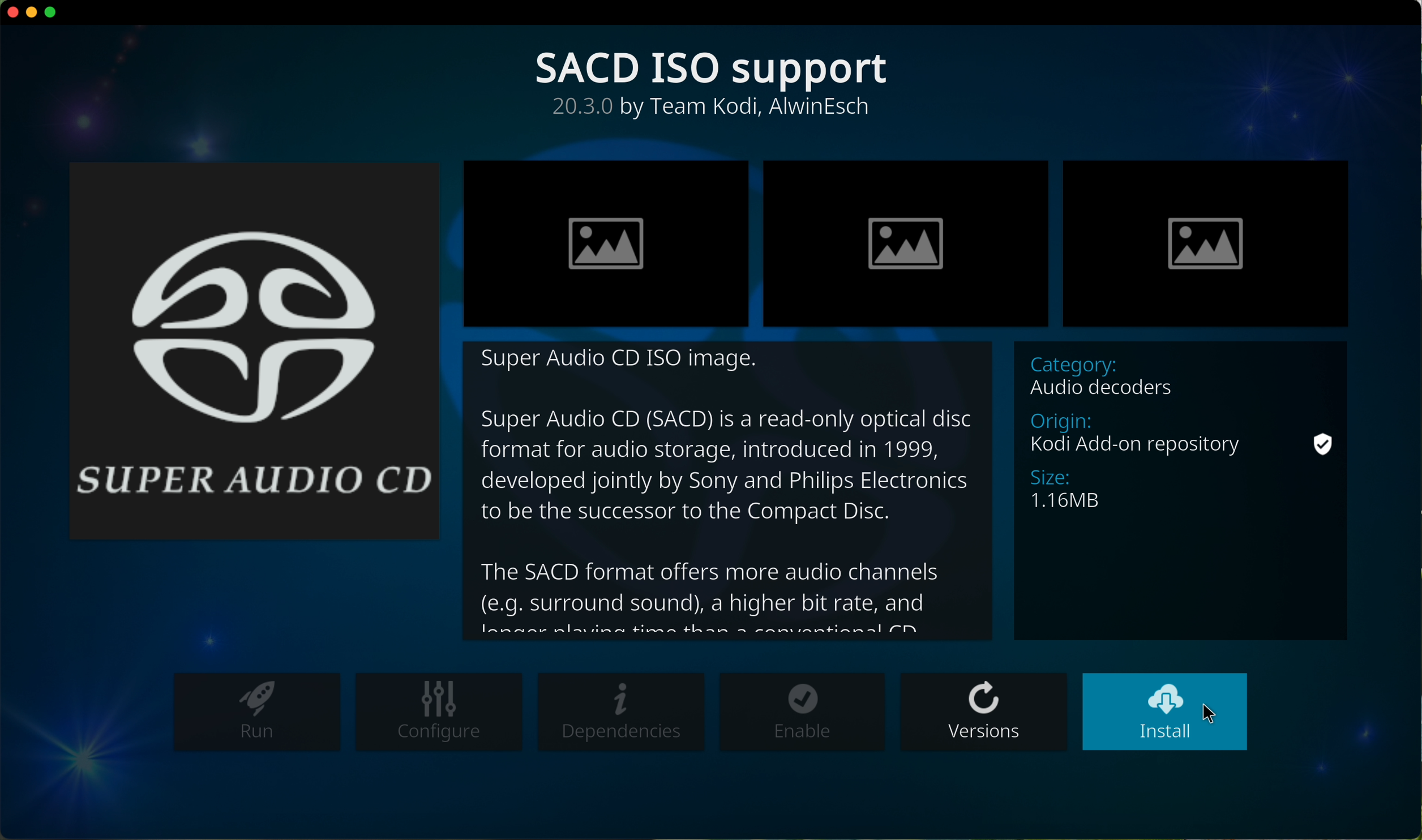 Image resolution: width=1422 pixels, height=840 pixels. I want to click on cursor, so click(1212, 712).